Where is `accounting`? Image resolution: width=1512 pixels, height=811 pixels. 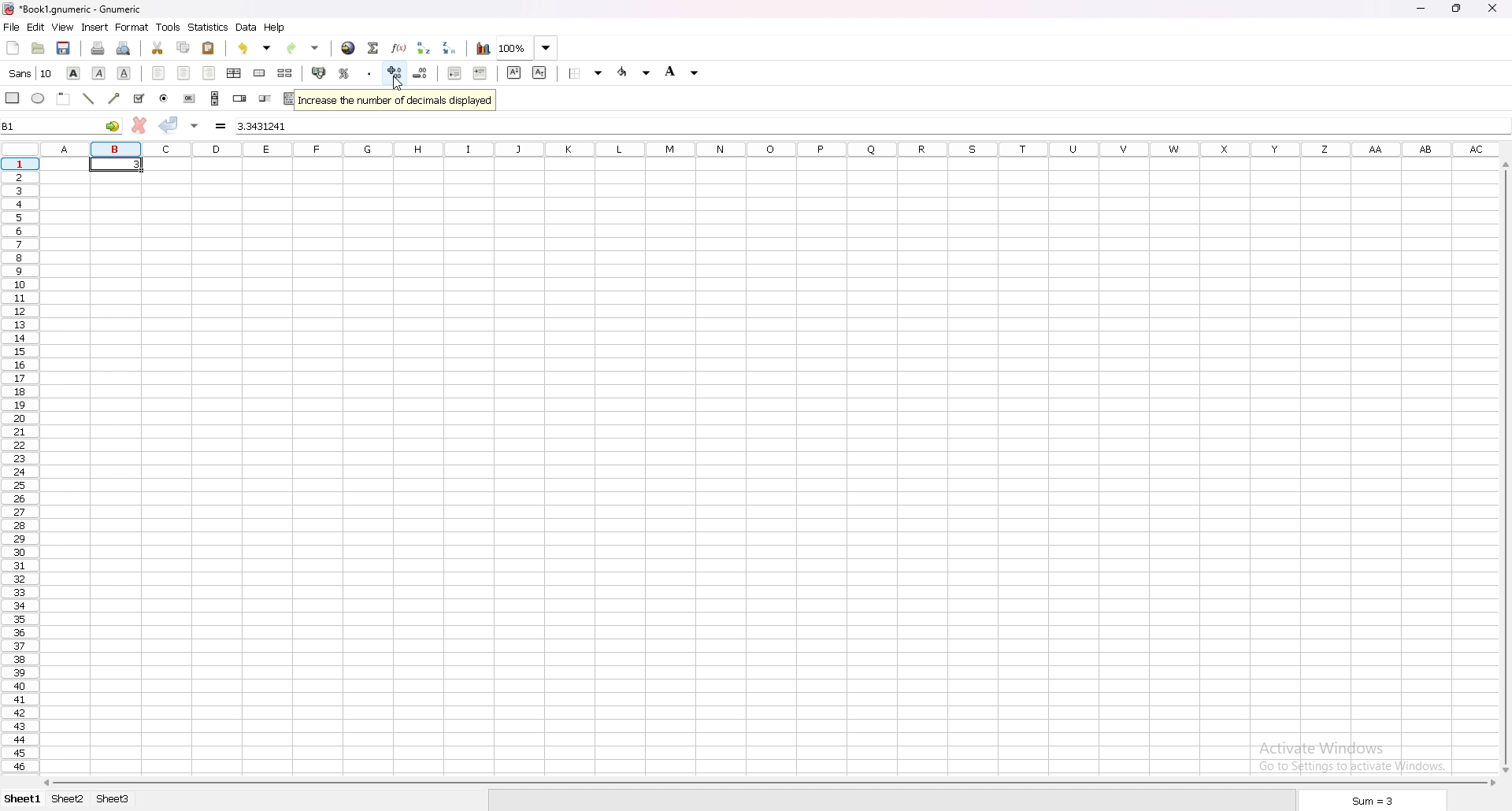 accounting is located at coordinates (321, 72).